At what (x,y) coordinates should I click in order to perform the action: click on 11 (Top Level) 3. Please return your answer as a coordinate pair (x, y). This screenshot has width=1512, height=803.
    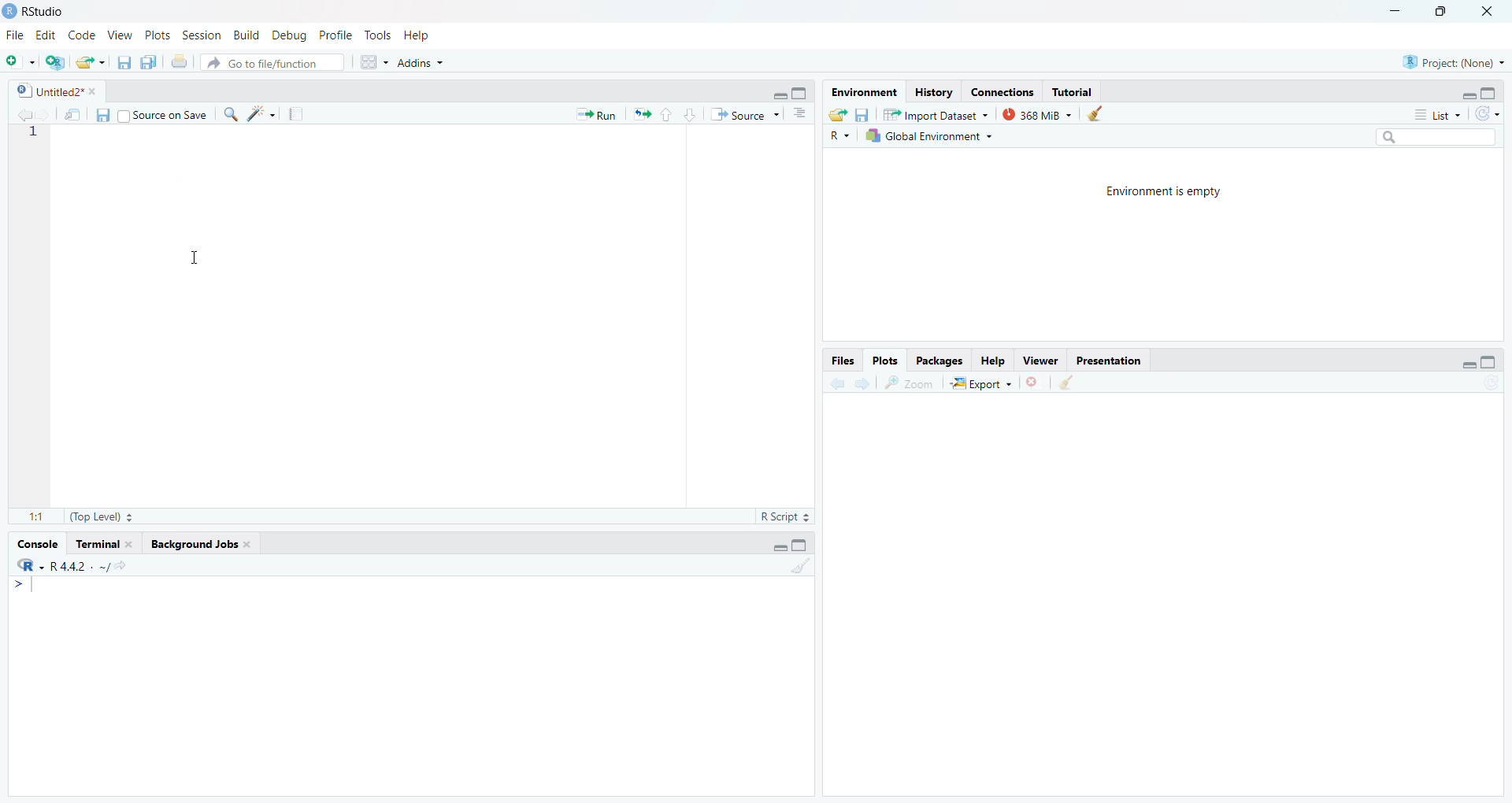
    Looking at the image, I should click on (88, 517).